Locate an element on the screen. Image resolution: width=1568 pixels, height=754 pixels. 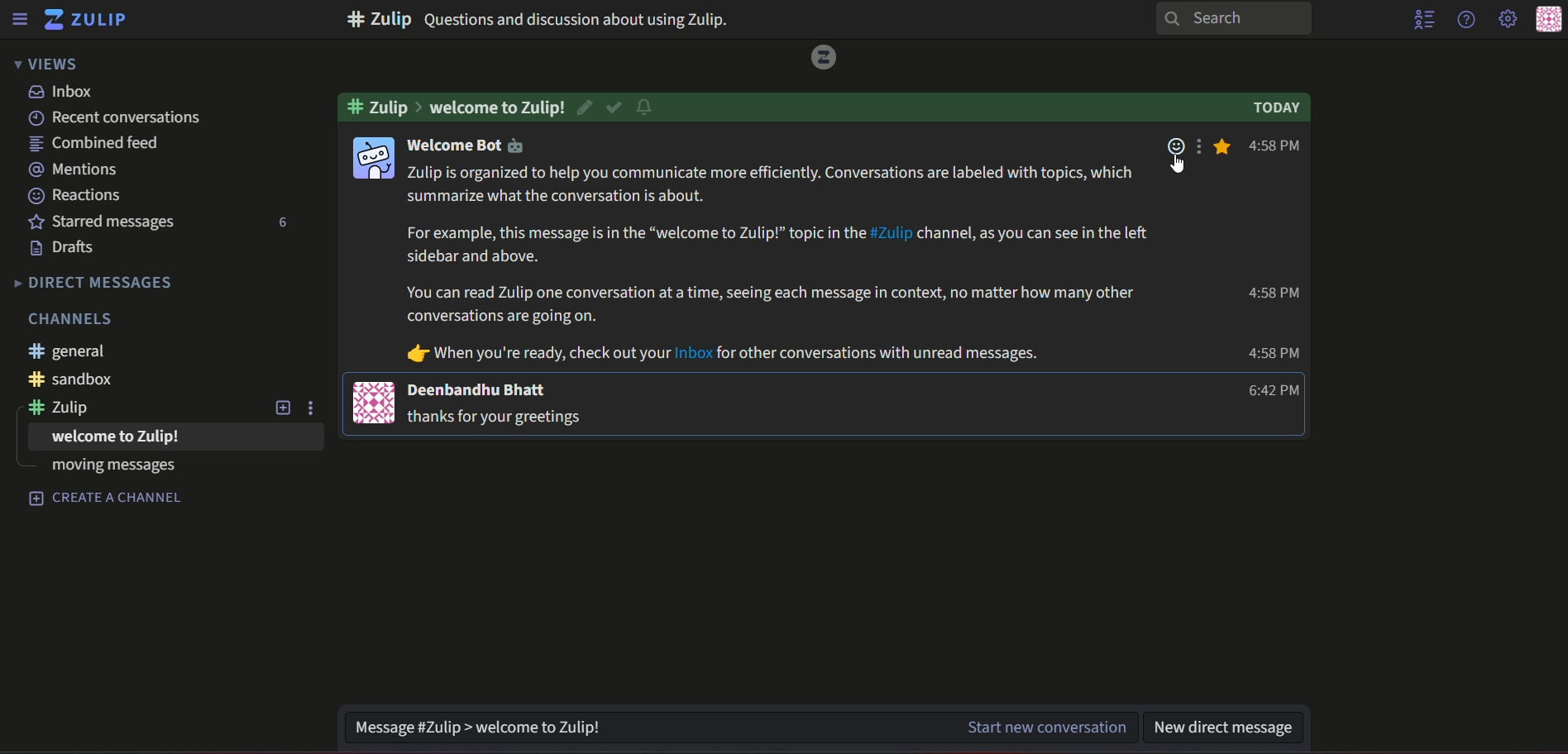
#general is located at coordinates (72, 351).